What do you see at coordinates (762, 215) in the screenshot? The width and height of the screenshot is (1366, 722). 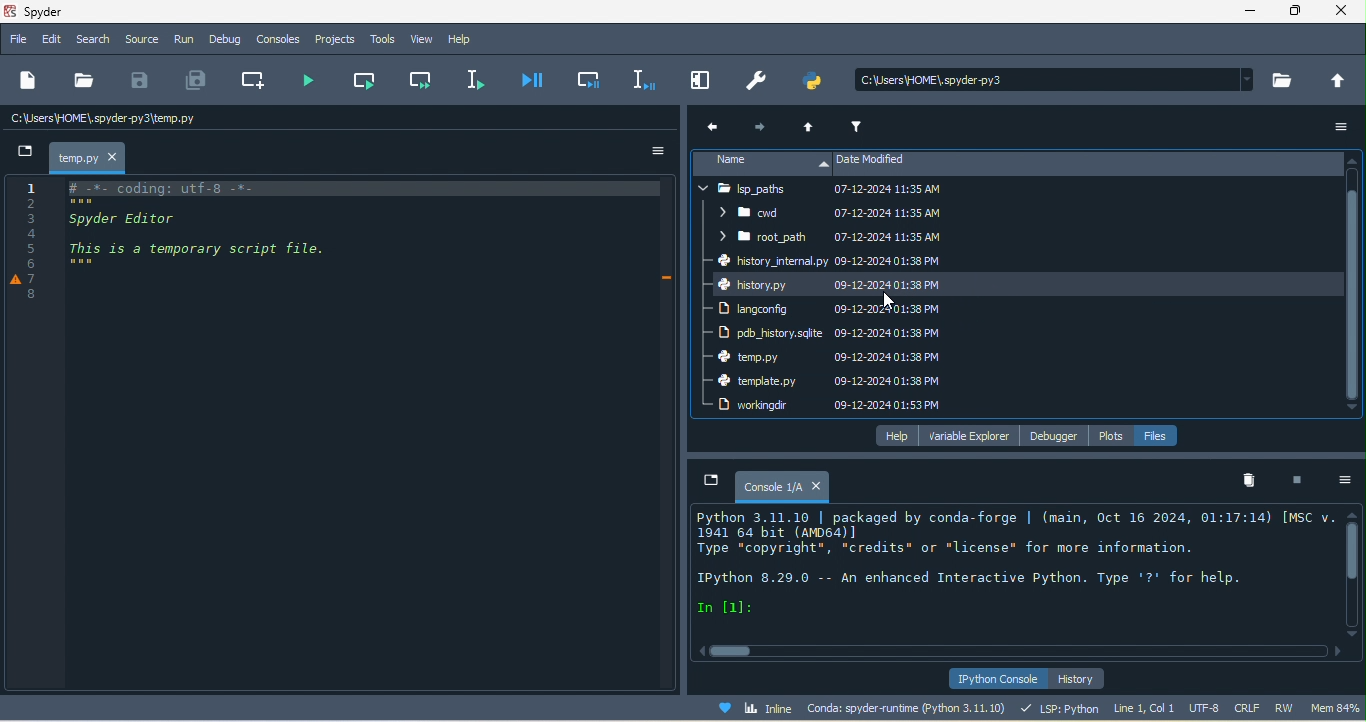 I see `cwd` at bounding box center [762, 215].